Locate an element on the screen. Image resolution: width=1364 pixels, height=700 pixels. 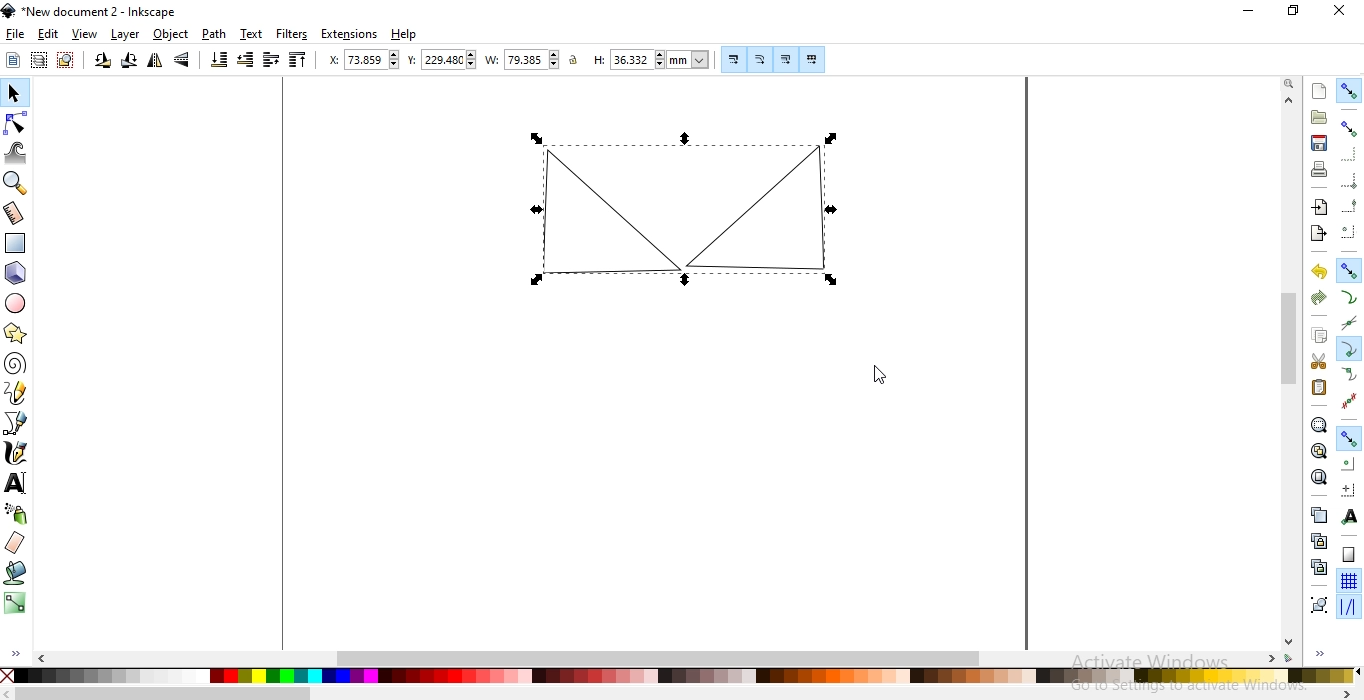
text is located at coordinates (253, 33).